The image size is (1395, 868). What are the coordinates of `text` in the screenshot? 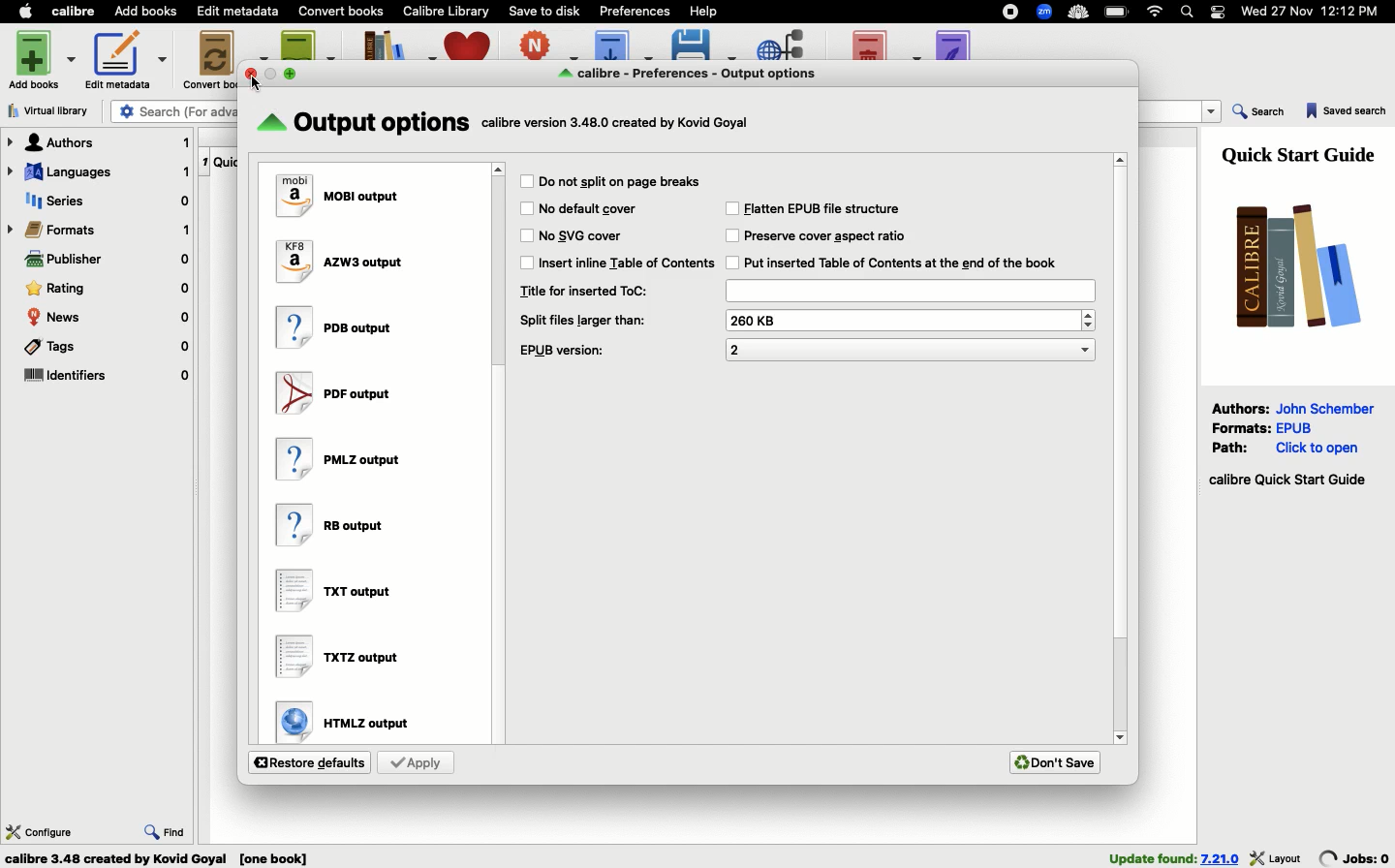 It's located at (619, 122).